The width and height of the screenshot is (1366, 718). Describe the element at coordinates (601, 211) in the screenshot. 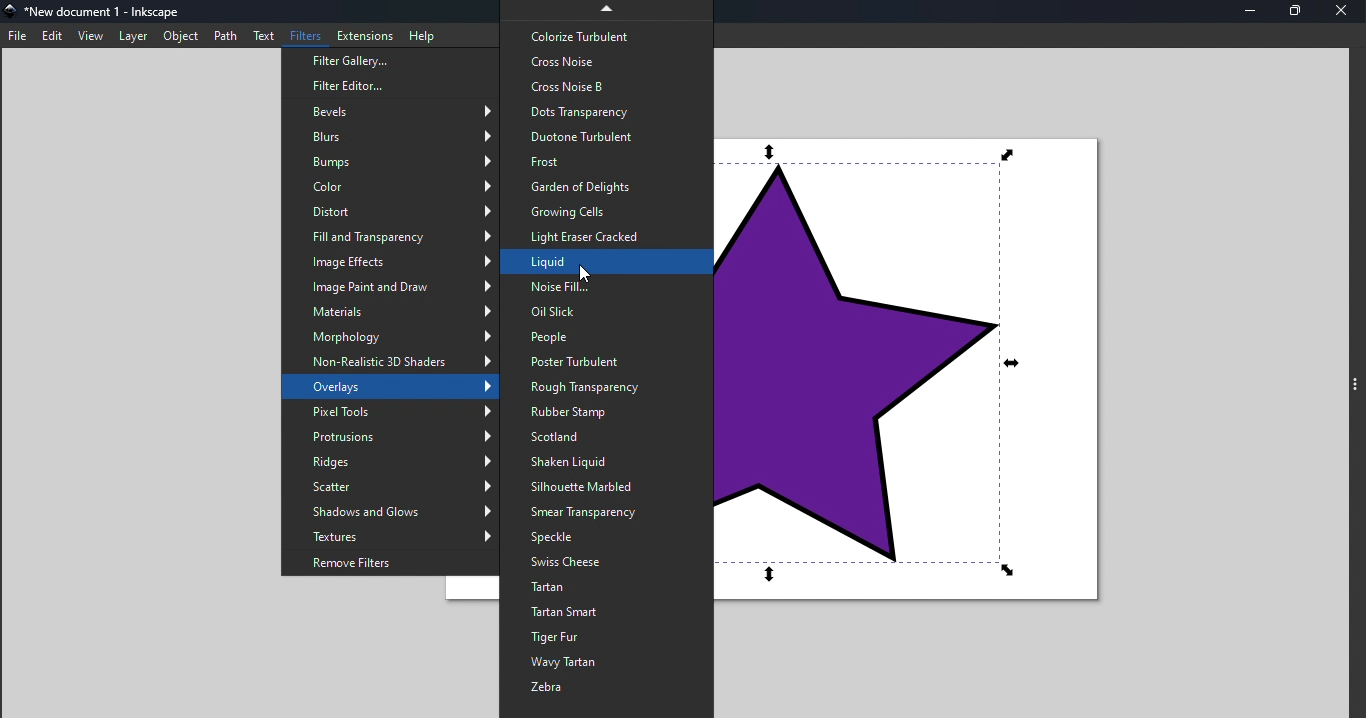

I see `Growing cells` at that location.